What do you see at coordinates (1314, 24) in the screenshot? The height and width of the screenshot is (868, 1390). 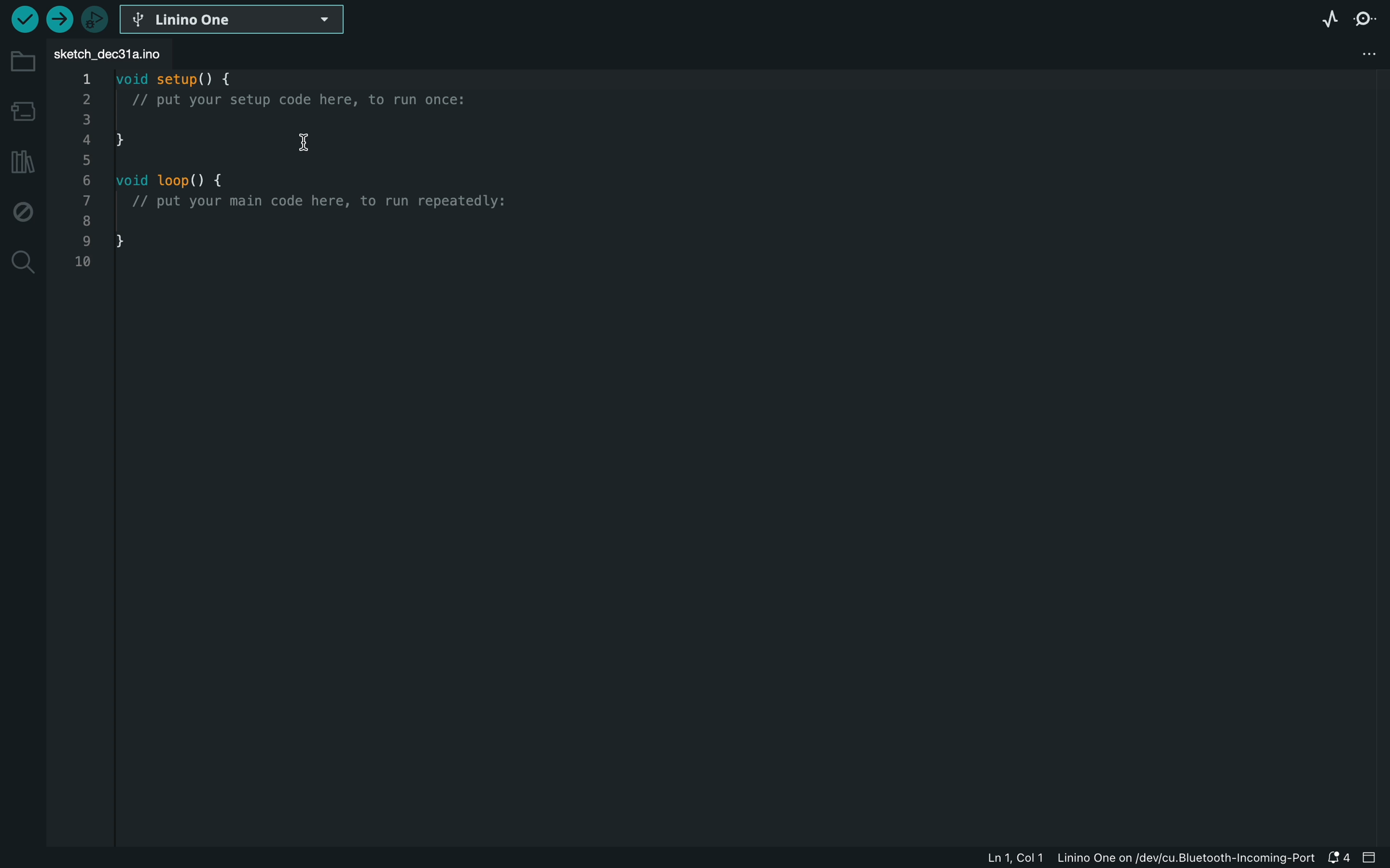 I see `serial plotter` at bounding box center [1314, 24].